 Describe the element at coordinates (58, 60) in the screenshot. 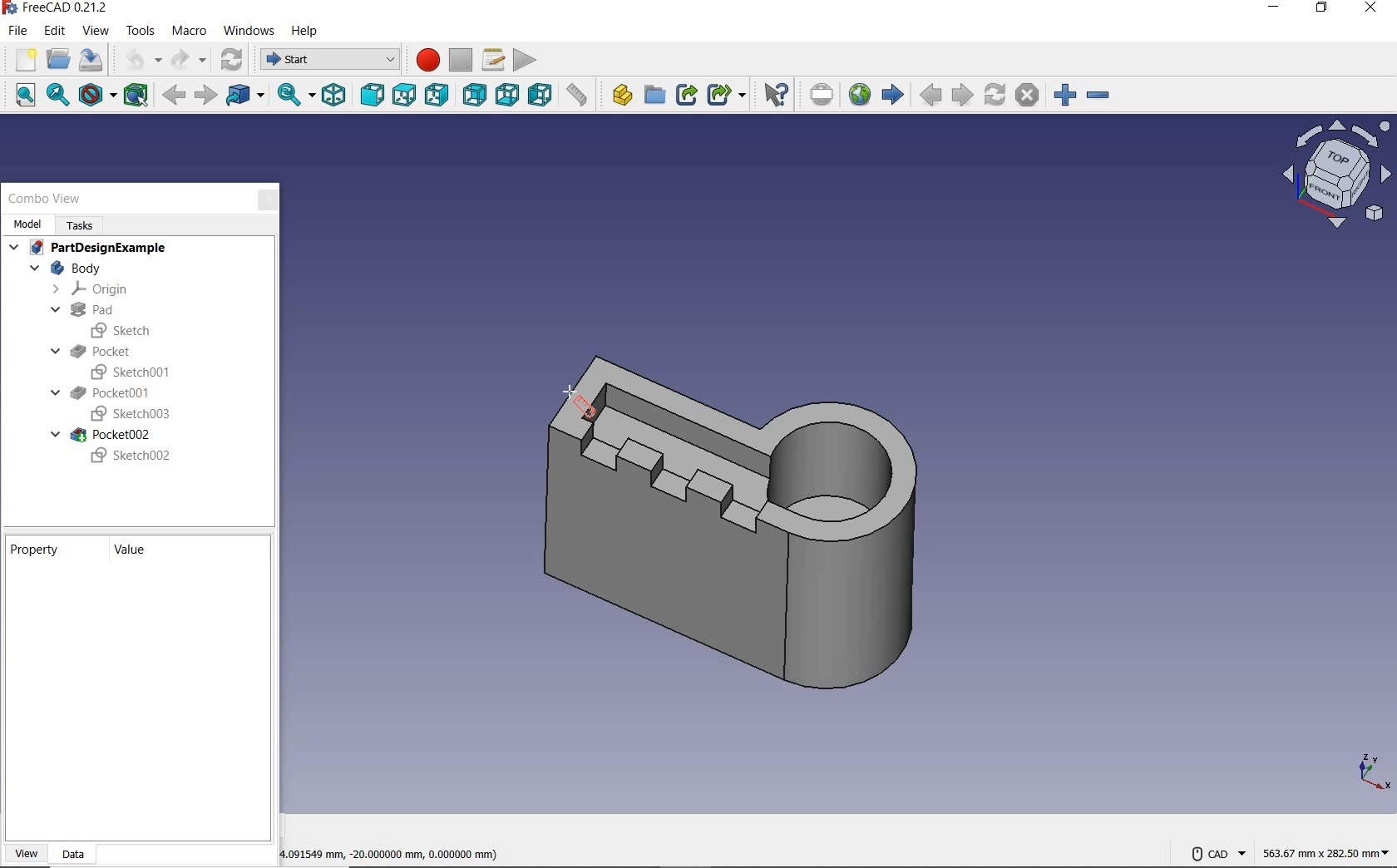

I see `open` at that location.